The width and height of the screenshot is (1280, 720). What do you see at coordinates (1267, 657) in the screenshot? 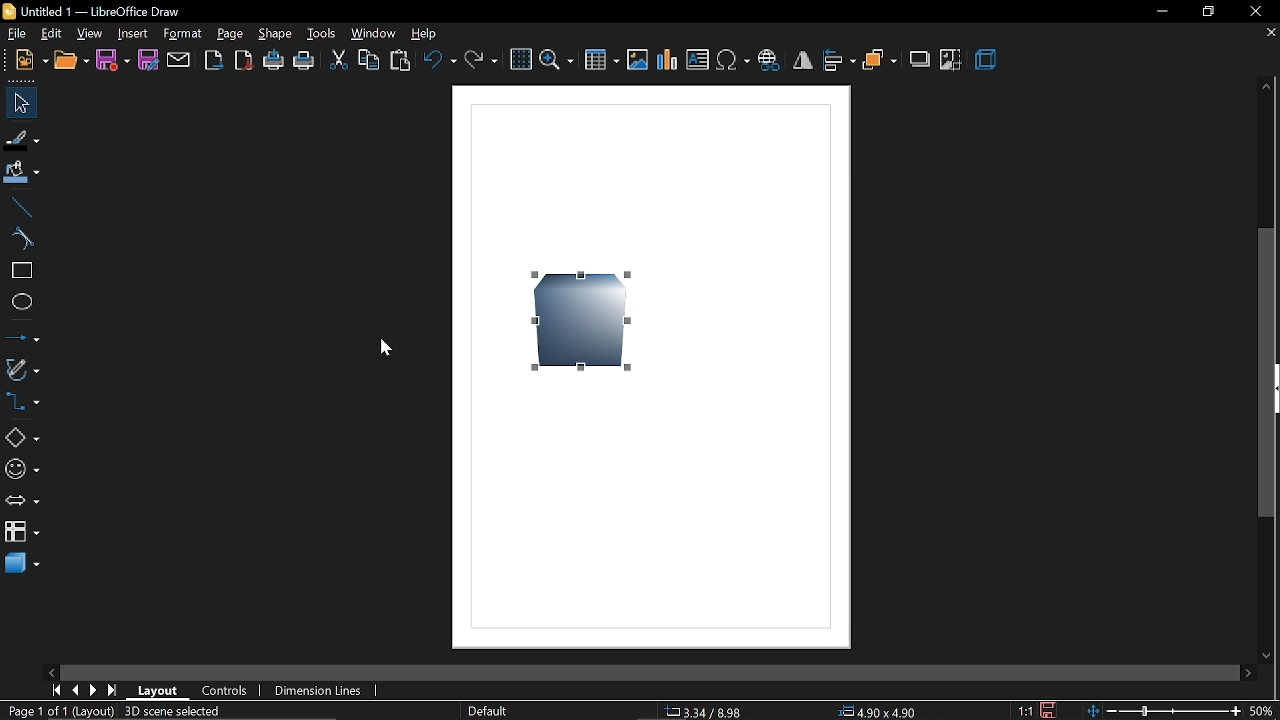
I see `move down` at bounding box center [1267, 657].